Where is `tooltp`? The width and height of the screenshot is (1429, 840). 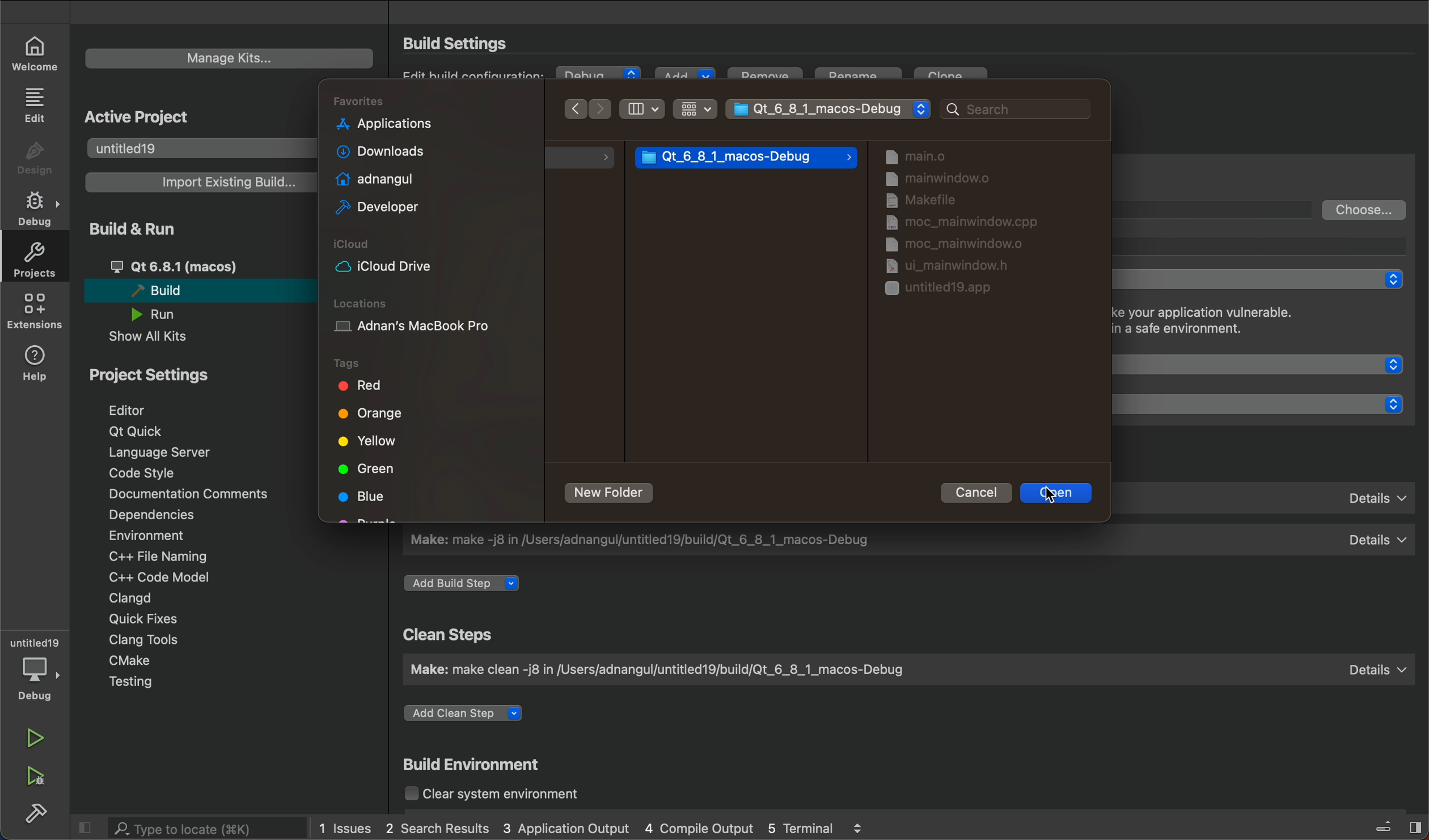 tooltp is located at coordinates (1270, 245).